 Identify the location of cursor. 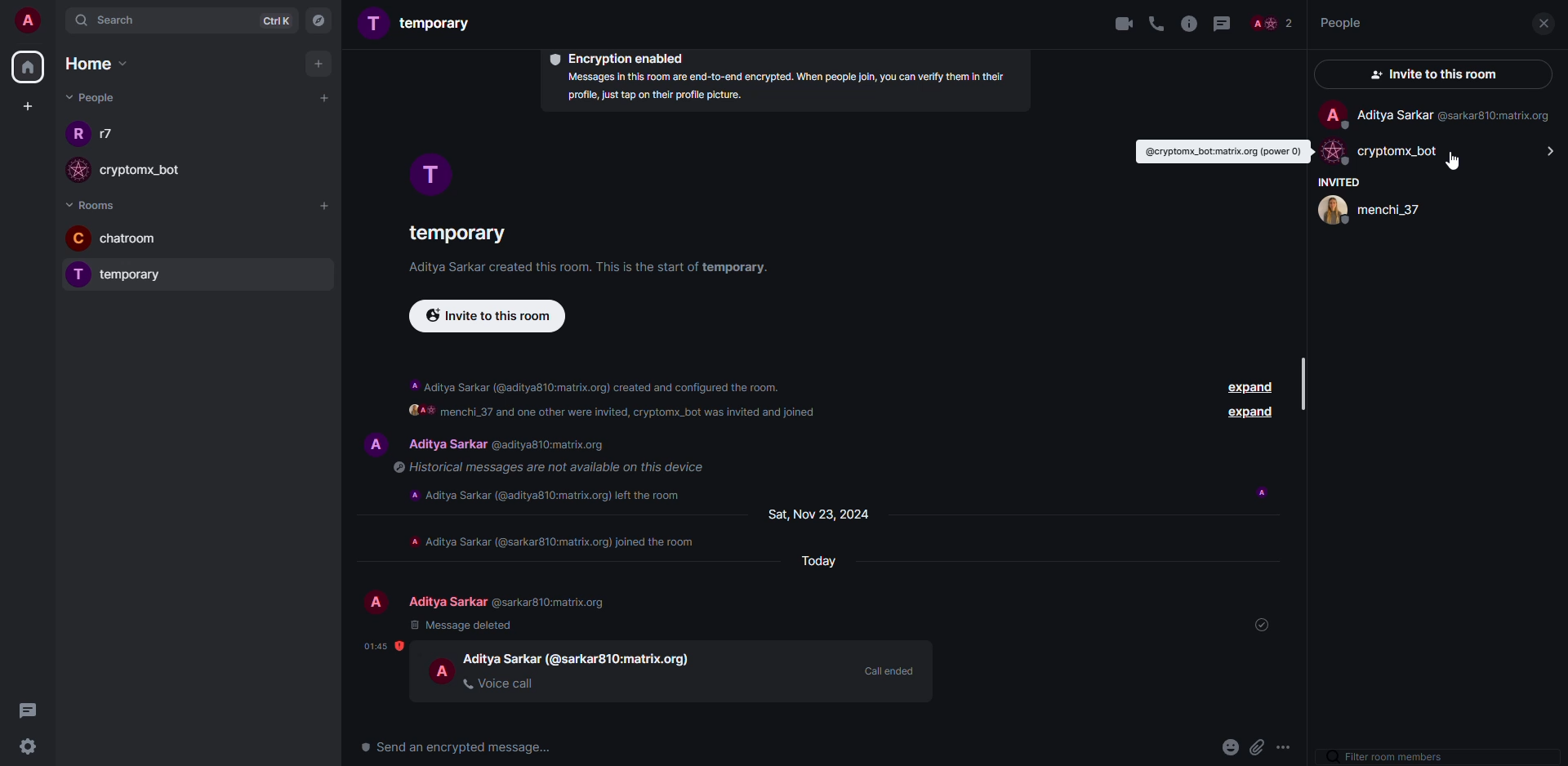
(1453, 162).